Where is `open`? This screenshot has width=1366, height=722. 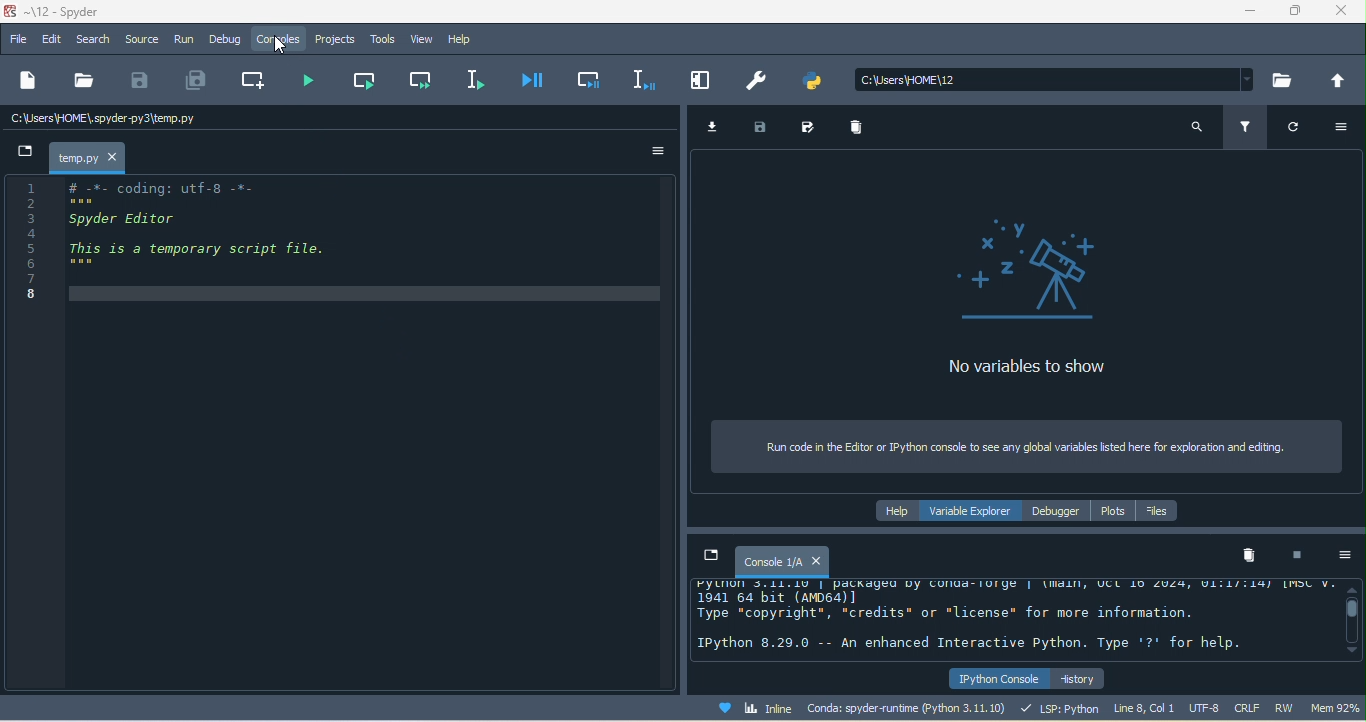
open is located at coordinates (83, 84).